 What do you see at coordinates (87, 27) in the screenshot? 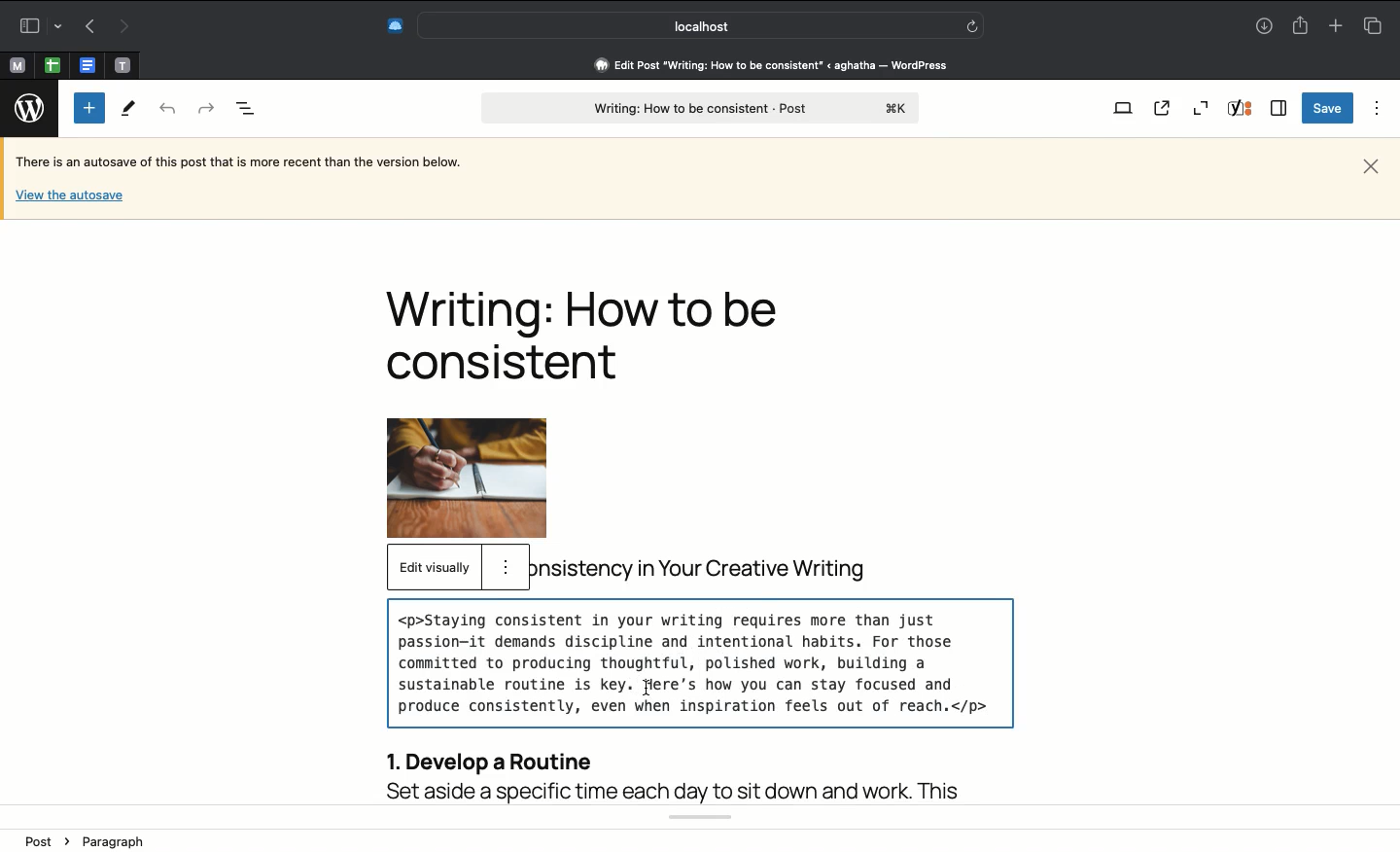
I see `Previous page` at bounding box center [87, 27].